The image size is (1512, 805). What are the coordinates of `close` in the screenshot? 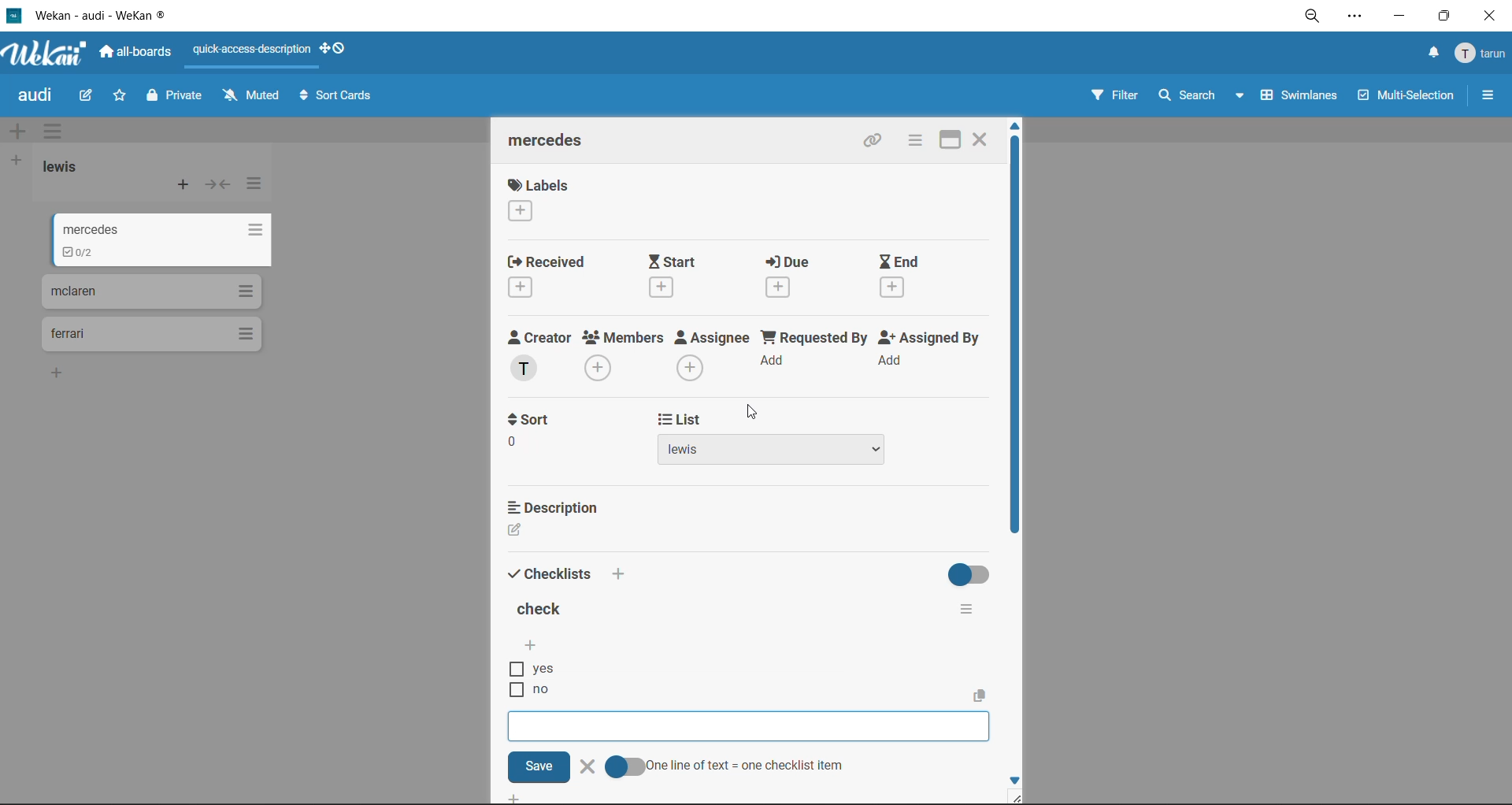 It's located at (1488, 17).